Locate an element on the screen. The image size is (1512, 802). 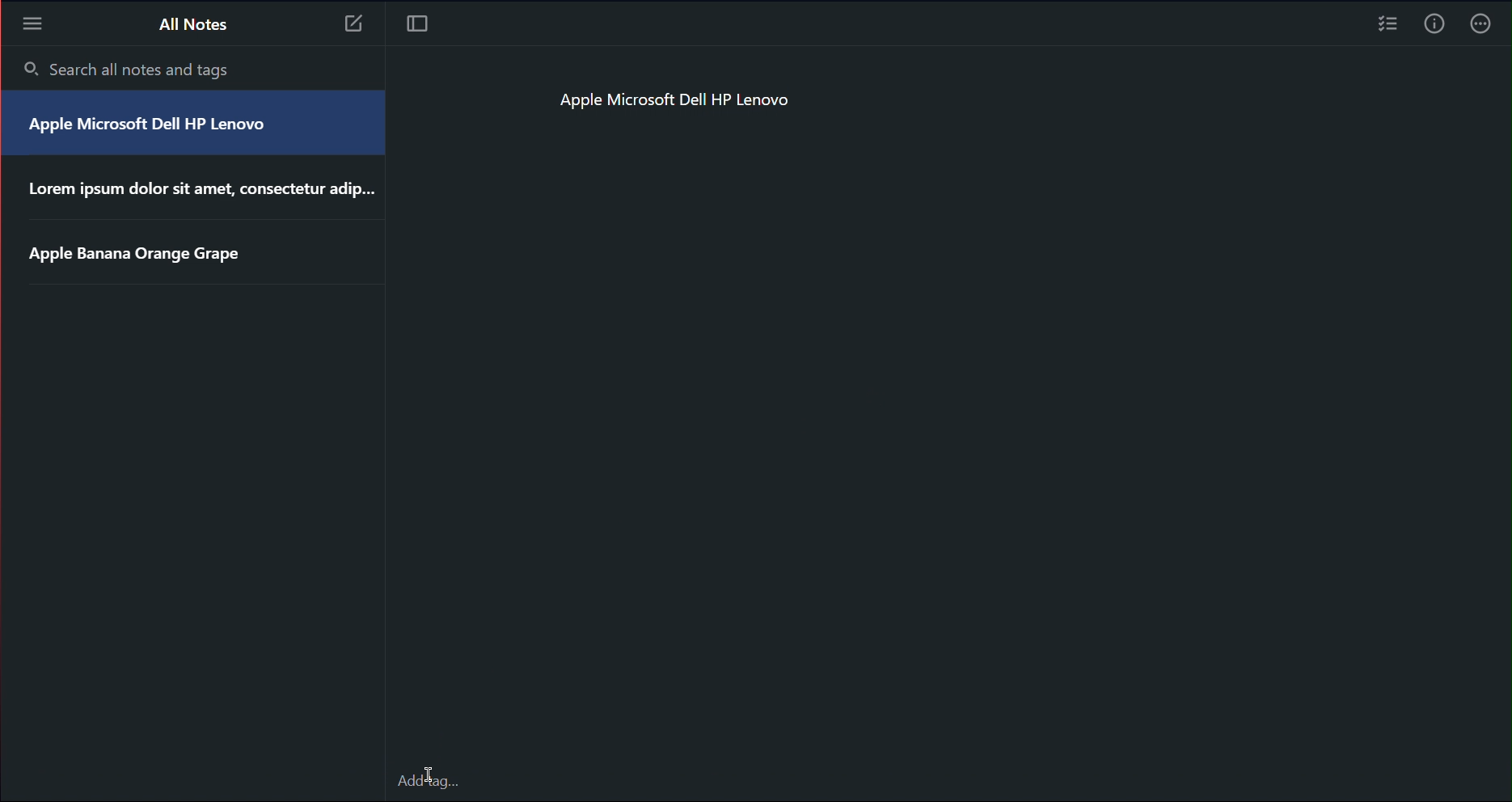
All Notes is located at coordinates (192, 23).